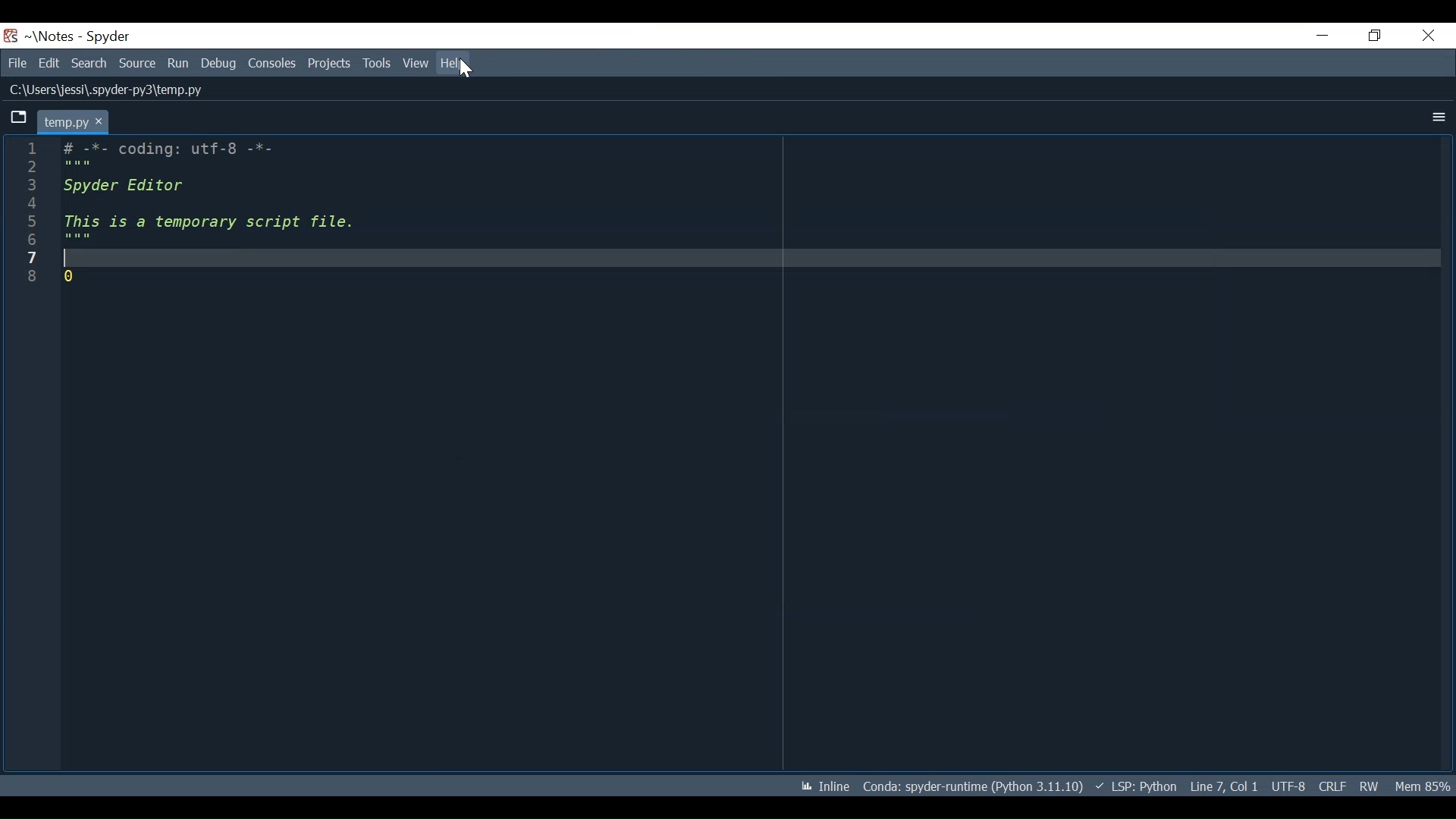  What do you see at coordinates (1374, 35) in the screenshot?
I see `Restore` at bounding box center [1374, 35].